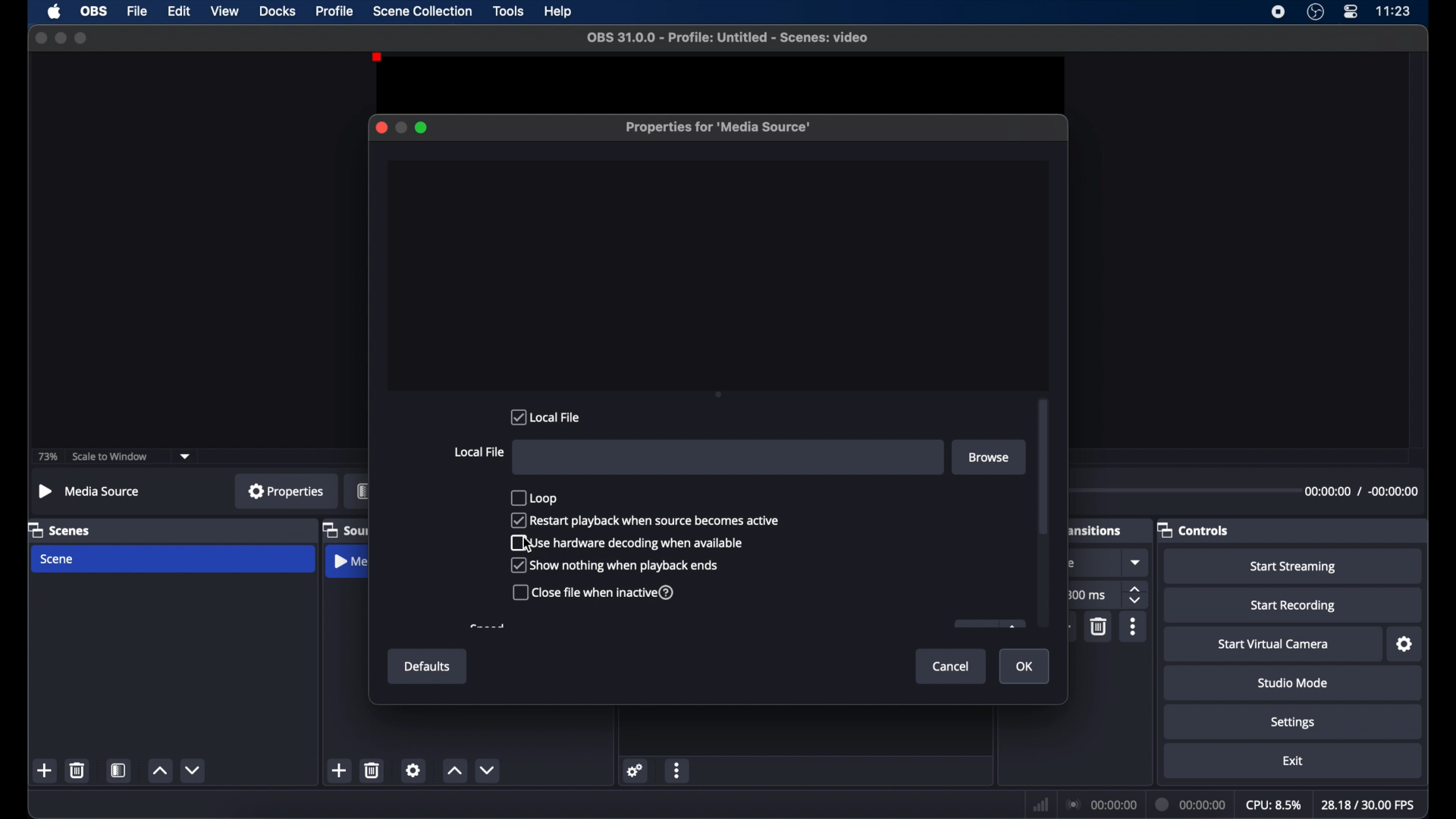  Describe the element at coordinates (413, 770) in the screenshot. I see `settings` at that location.